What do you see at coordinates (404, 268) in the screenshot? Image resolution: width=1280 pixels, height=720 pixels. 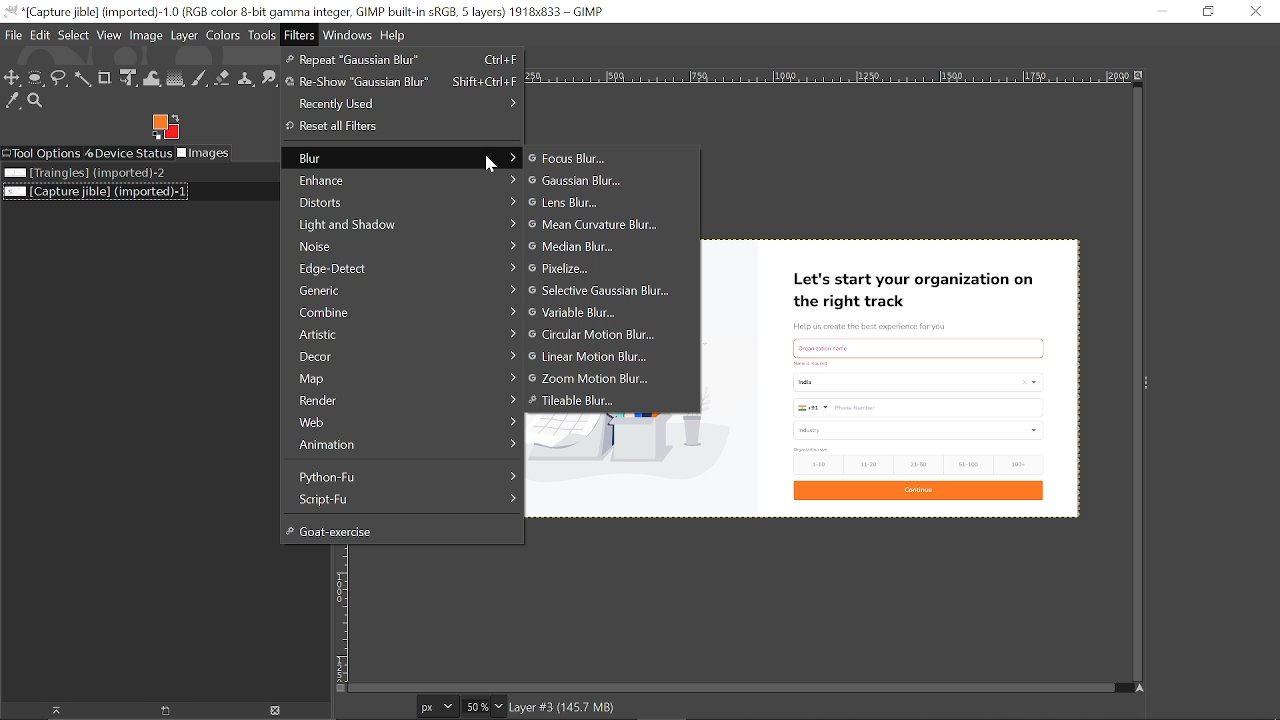 I see `Edge-defect` at bounding box center [404, 268].